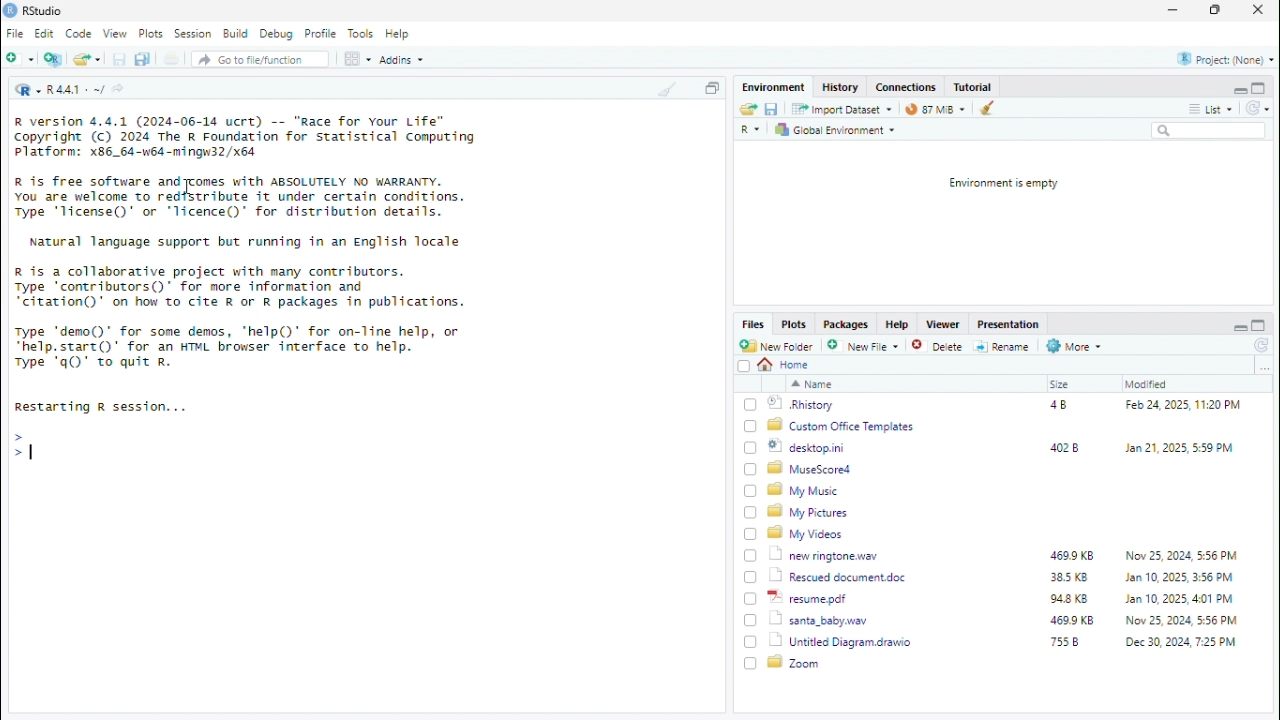  I want to click on Checkbox, so click(751, 448).